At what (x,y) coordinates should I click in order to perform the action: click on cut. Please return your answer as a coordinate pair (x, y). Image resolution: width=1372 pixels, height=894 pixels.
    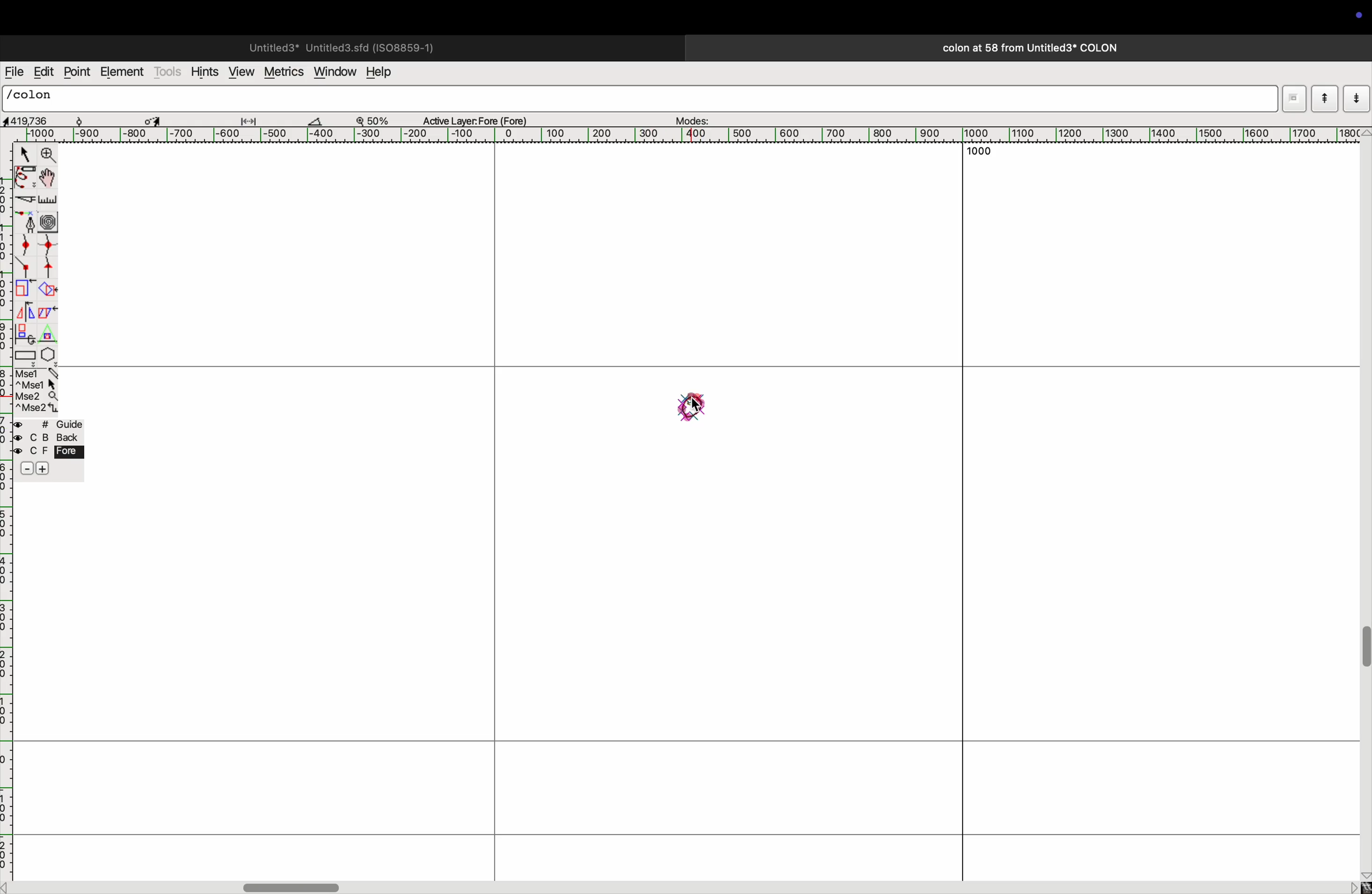
    Looking at the image, I should click on (322, 121).